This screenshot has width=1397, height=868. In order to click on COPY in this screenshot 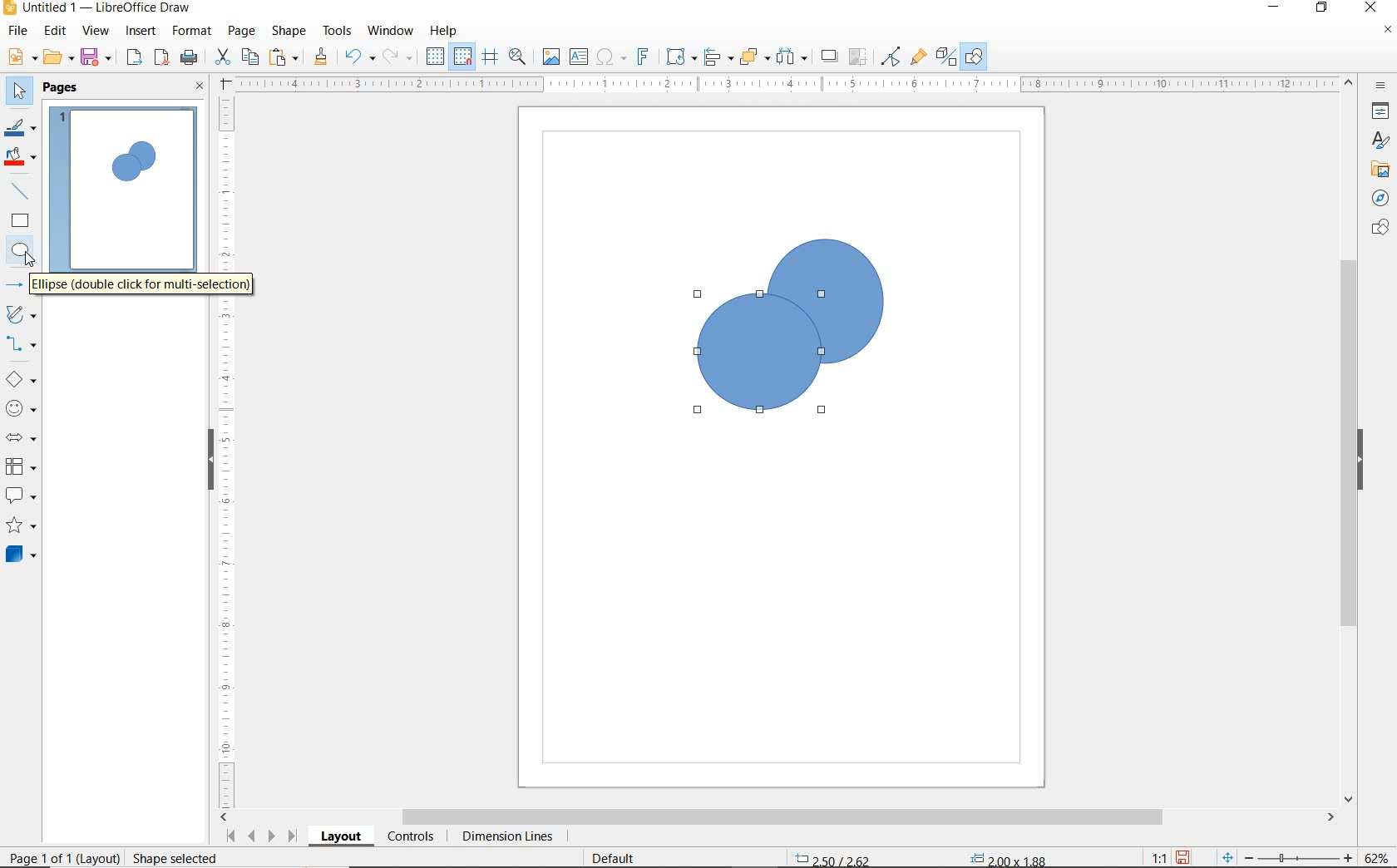, I will do `click(250, 56)`.